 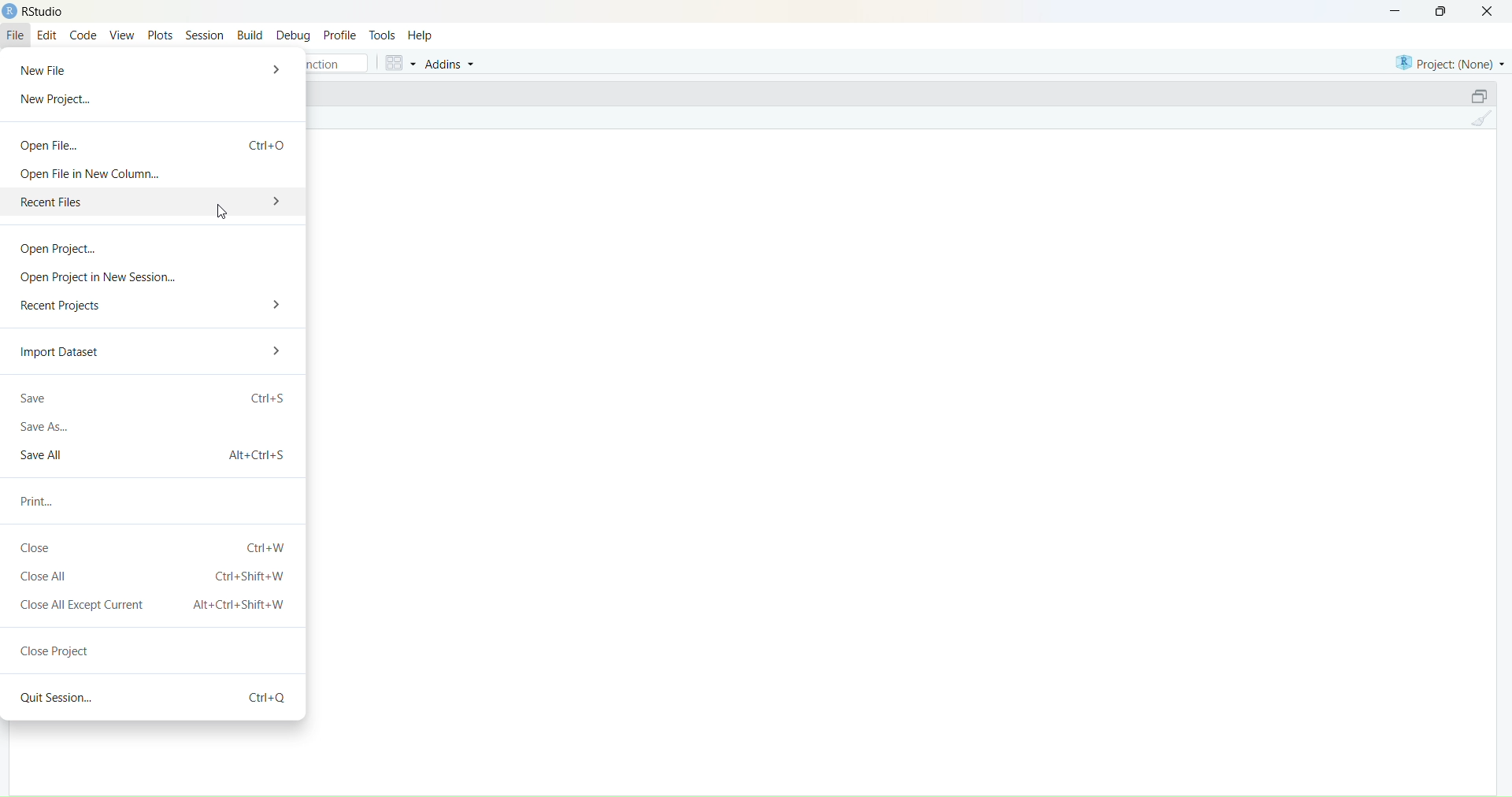 What do you see at coordinates (122, 36) in the screenshot?
I see `View` at bounding box center [122, 36].